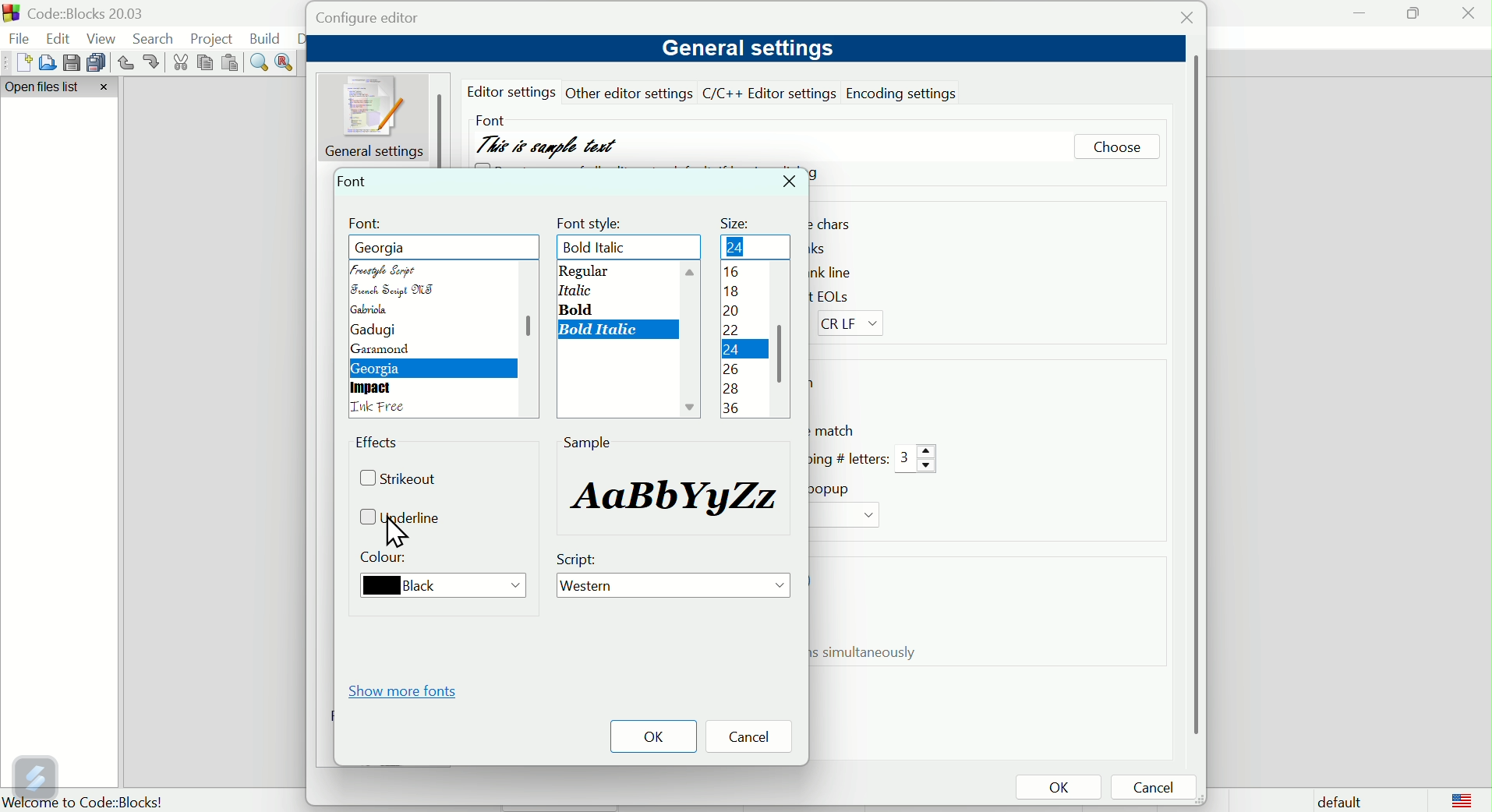  Describe the element at coordinates (744, 49) in the screenshot. I see `General settings` at that location.